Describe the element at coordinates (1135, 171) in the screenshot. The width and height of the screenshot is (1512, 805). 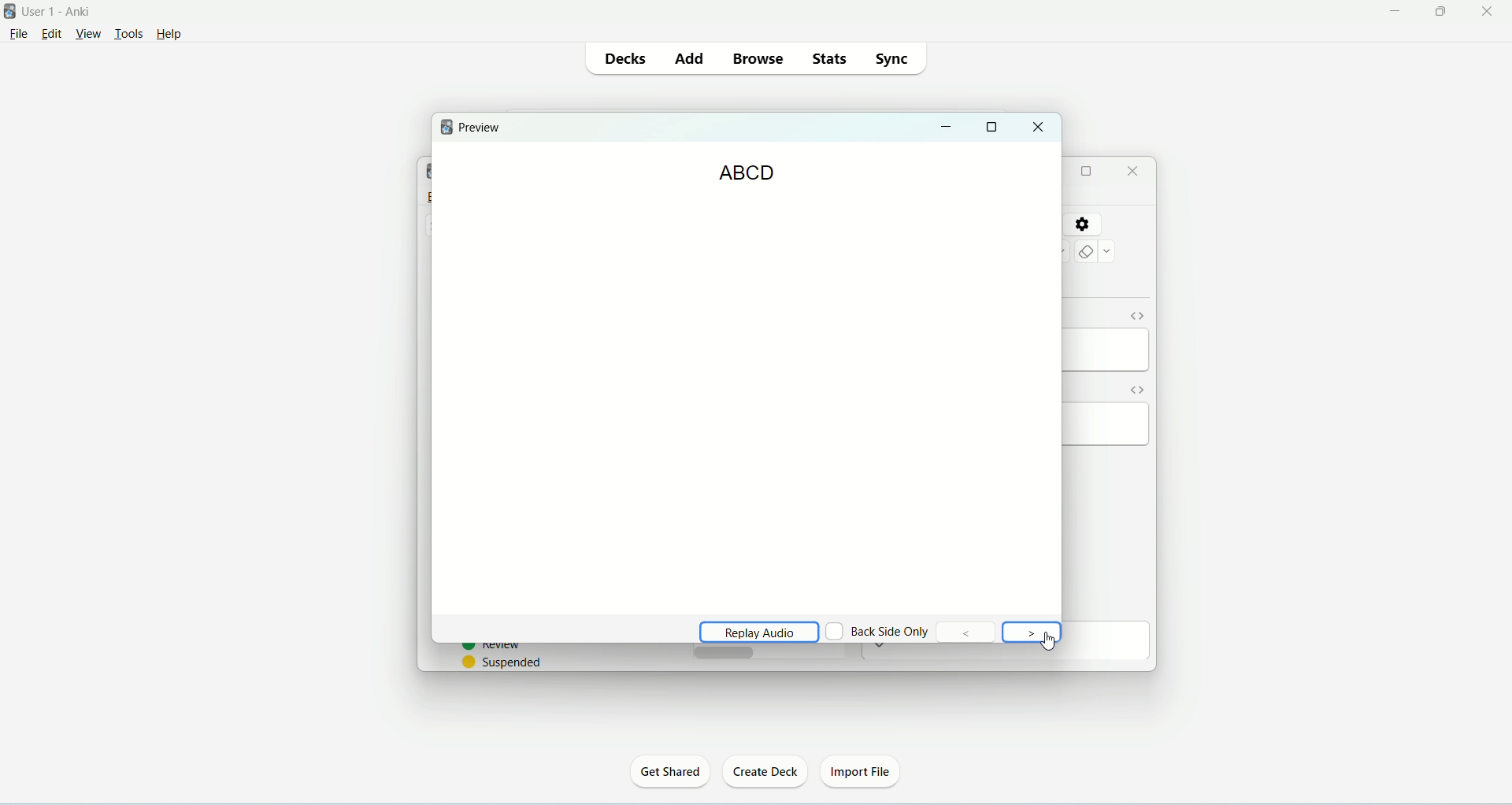
I see `close` at that location.